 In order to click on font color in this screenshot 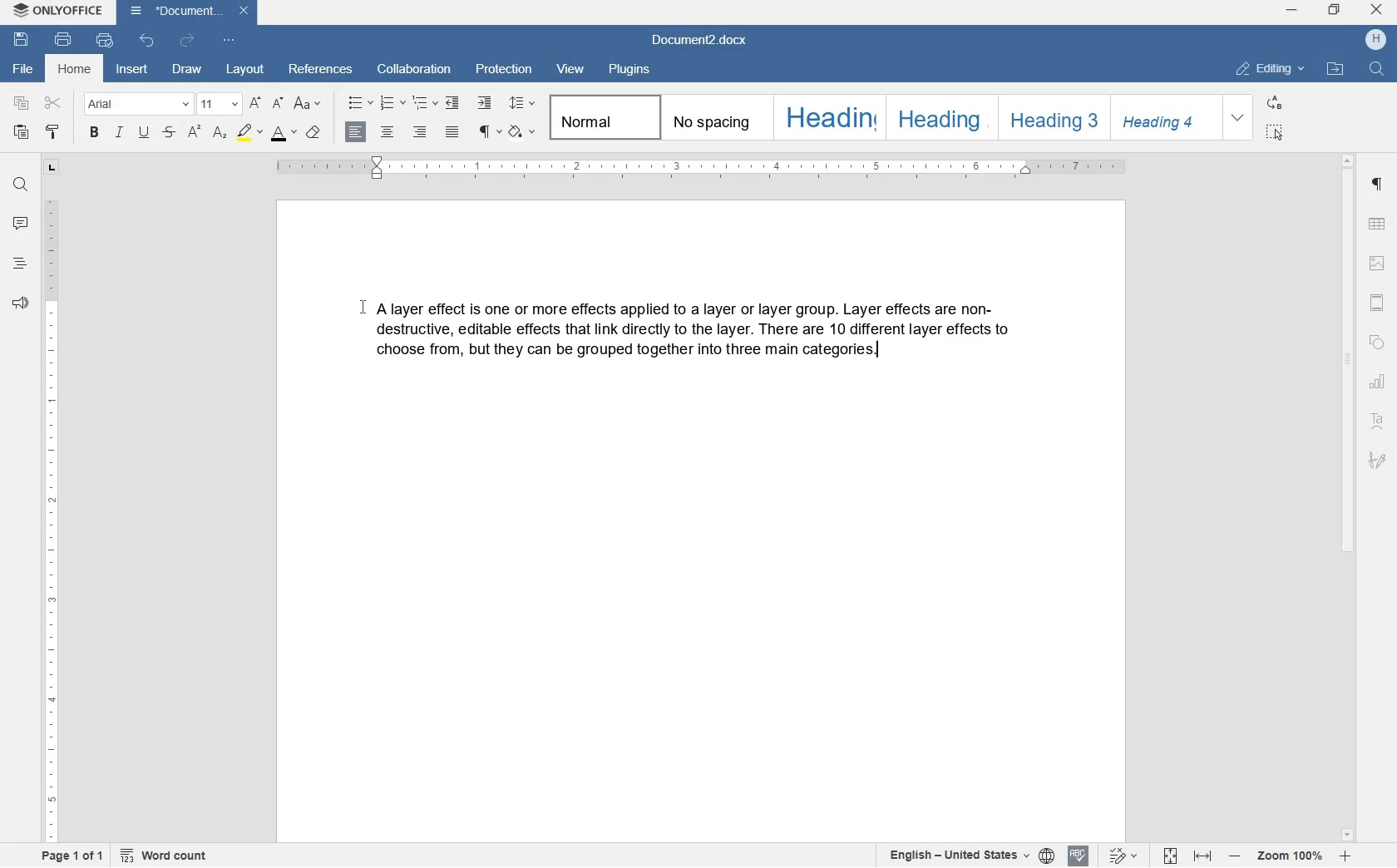, I will do `click(283, 134)`.